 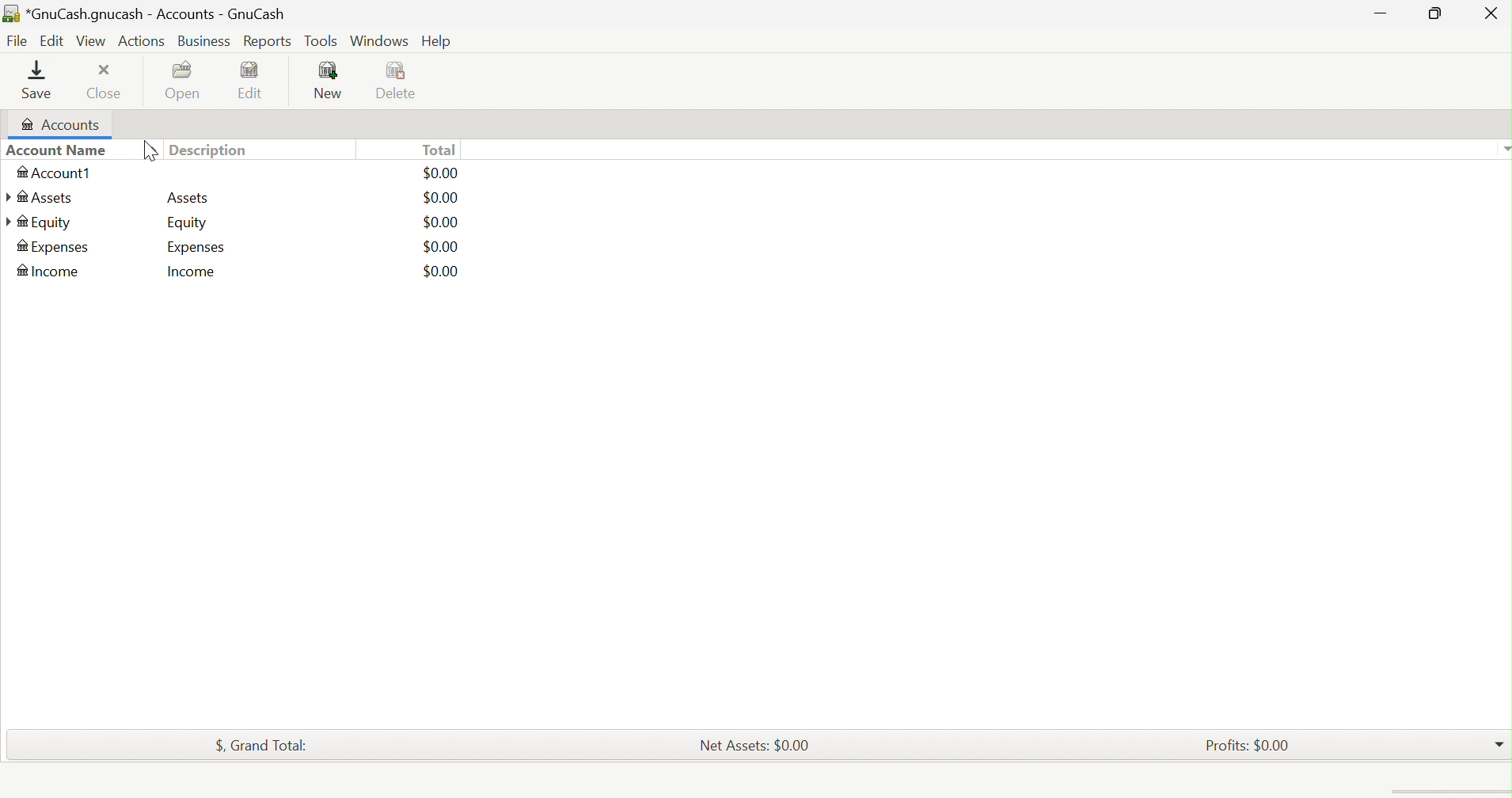 What do you see at coordinates (378, 40) in the screenshot?
I see `Windows` at bounding box center [378, 40].